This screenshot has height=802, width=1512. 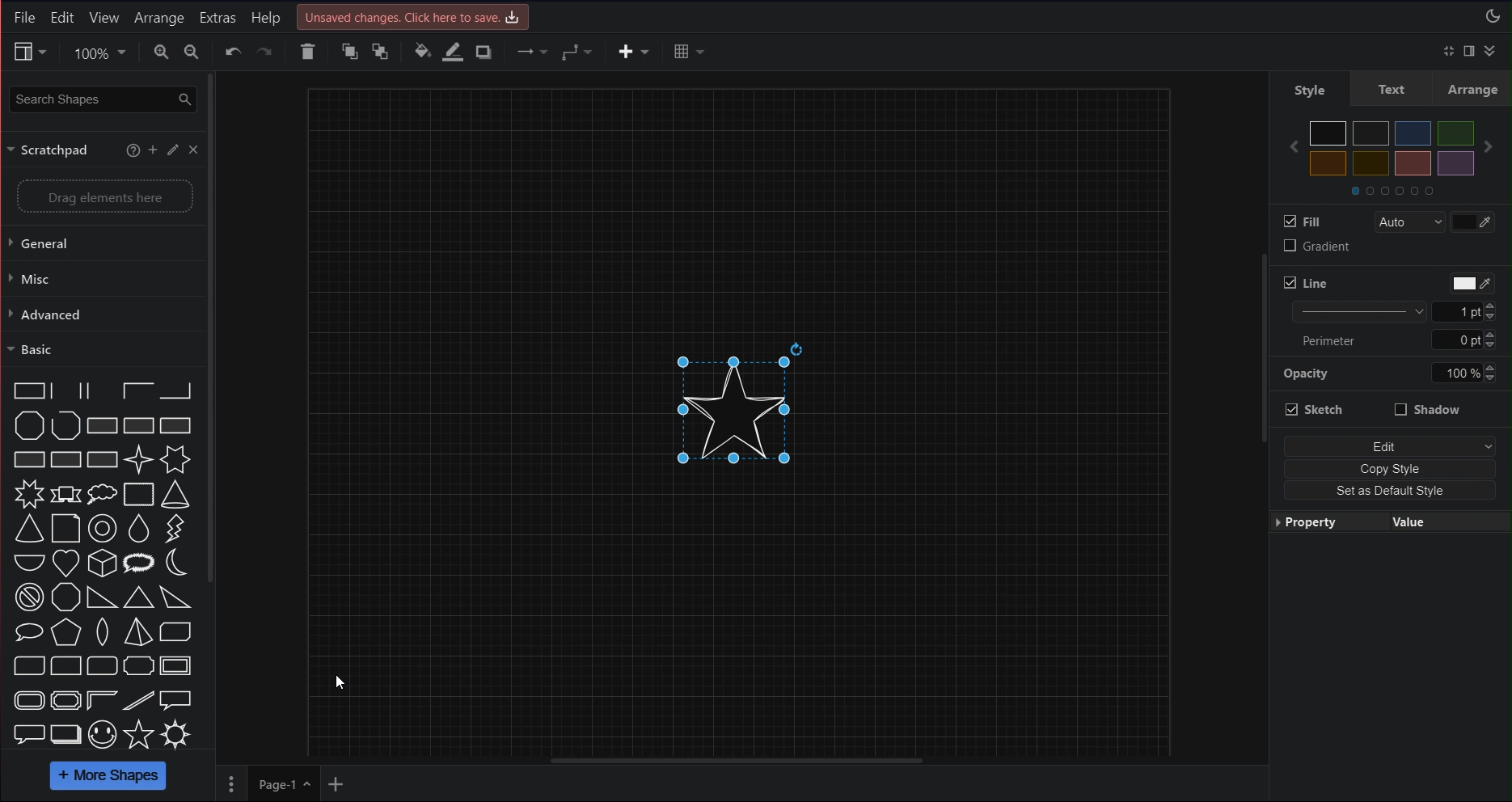 What do you see at coordinates (1472, 88) in the screenshot?
I see `Arrange` at bounding box center [1472, 88].